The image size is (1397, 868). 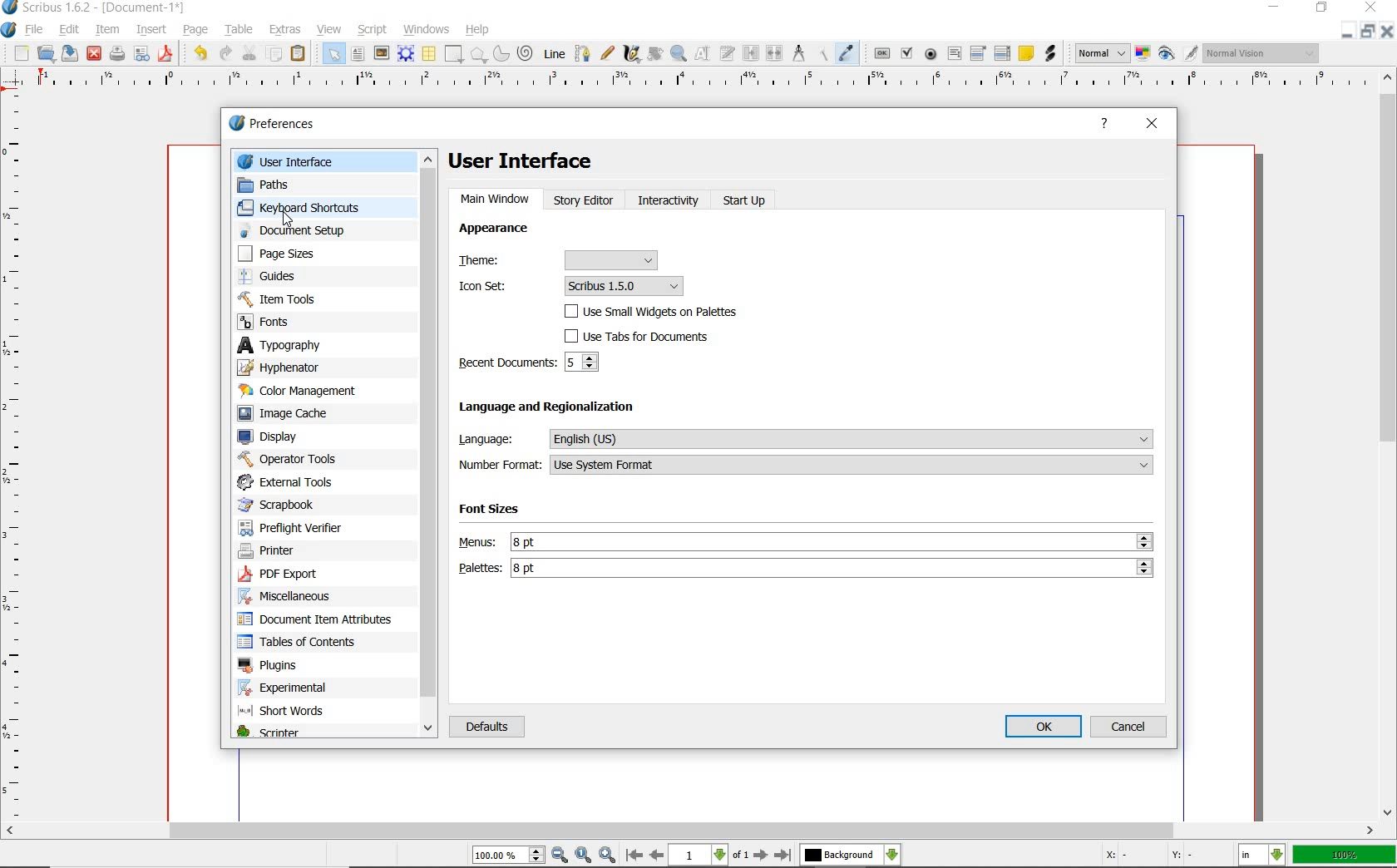 I want to click on zoom in or zoom out, so click(x=679, y=55).